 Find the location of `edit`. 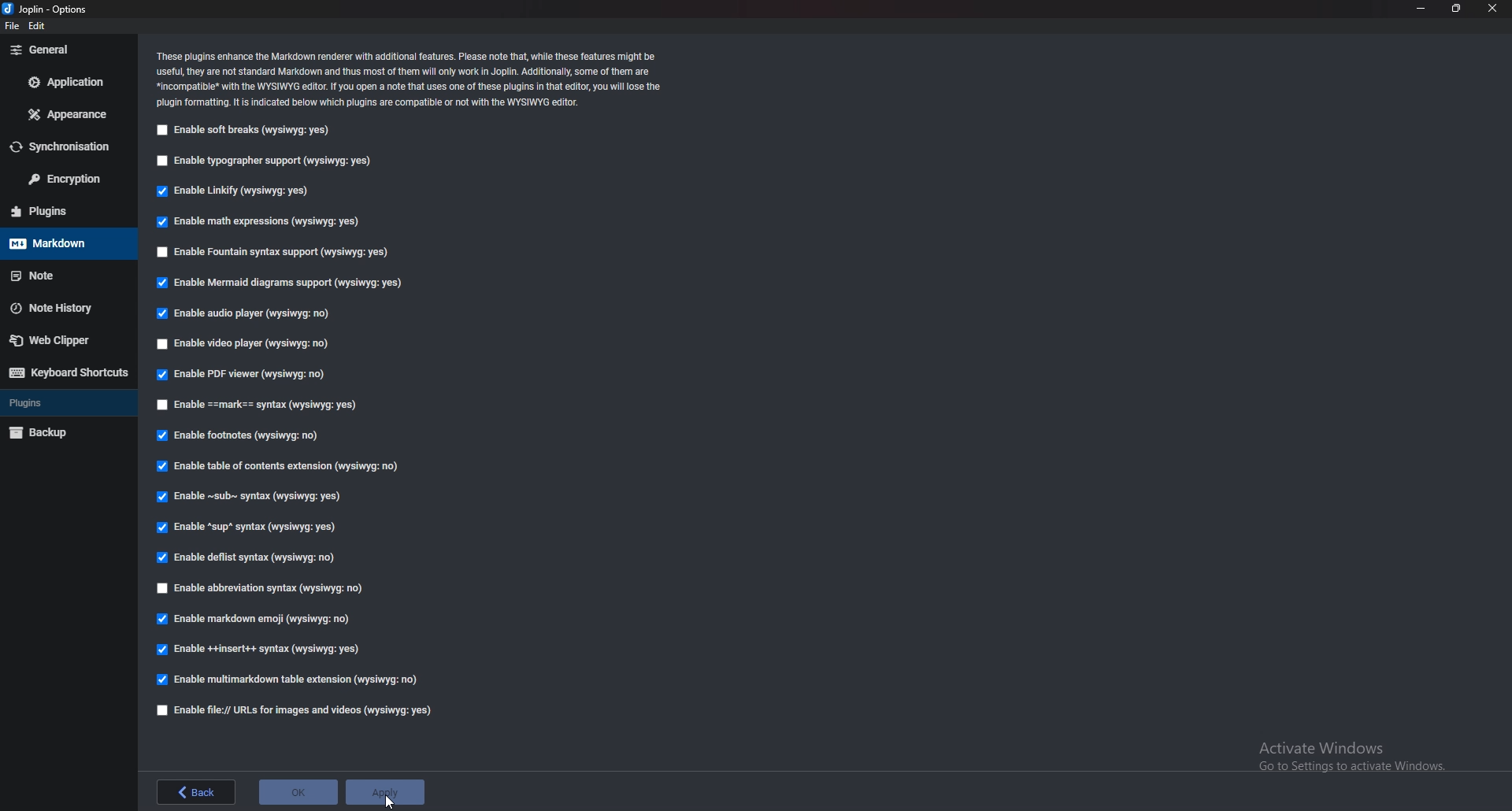

edit is located at coordinates (38, 25).